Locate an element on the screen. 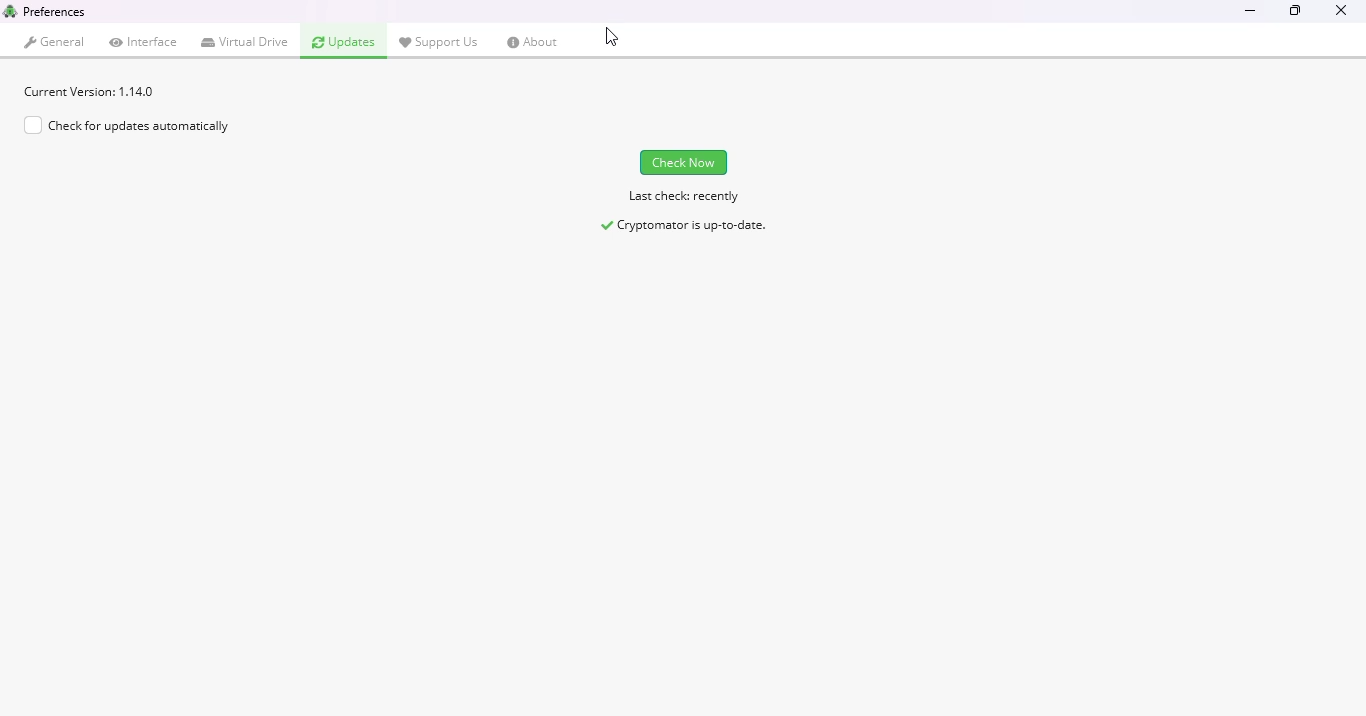 The image size is (1366, 716). cursor is located at coordinates (611, 38).